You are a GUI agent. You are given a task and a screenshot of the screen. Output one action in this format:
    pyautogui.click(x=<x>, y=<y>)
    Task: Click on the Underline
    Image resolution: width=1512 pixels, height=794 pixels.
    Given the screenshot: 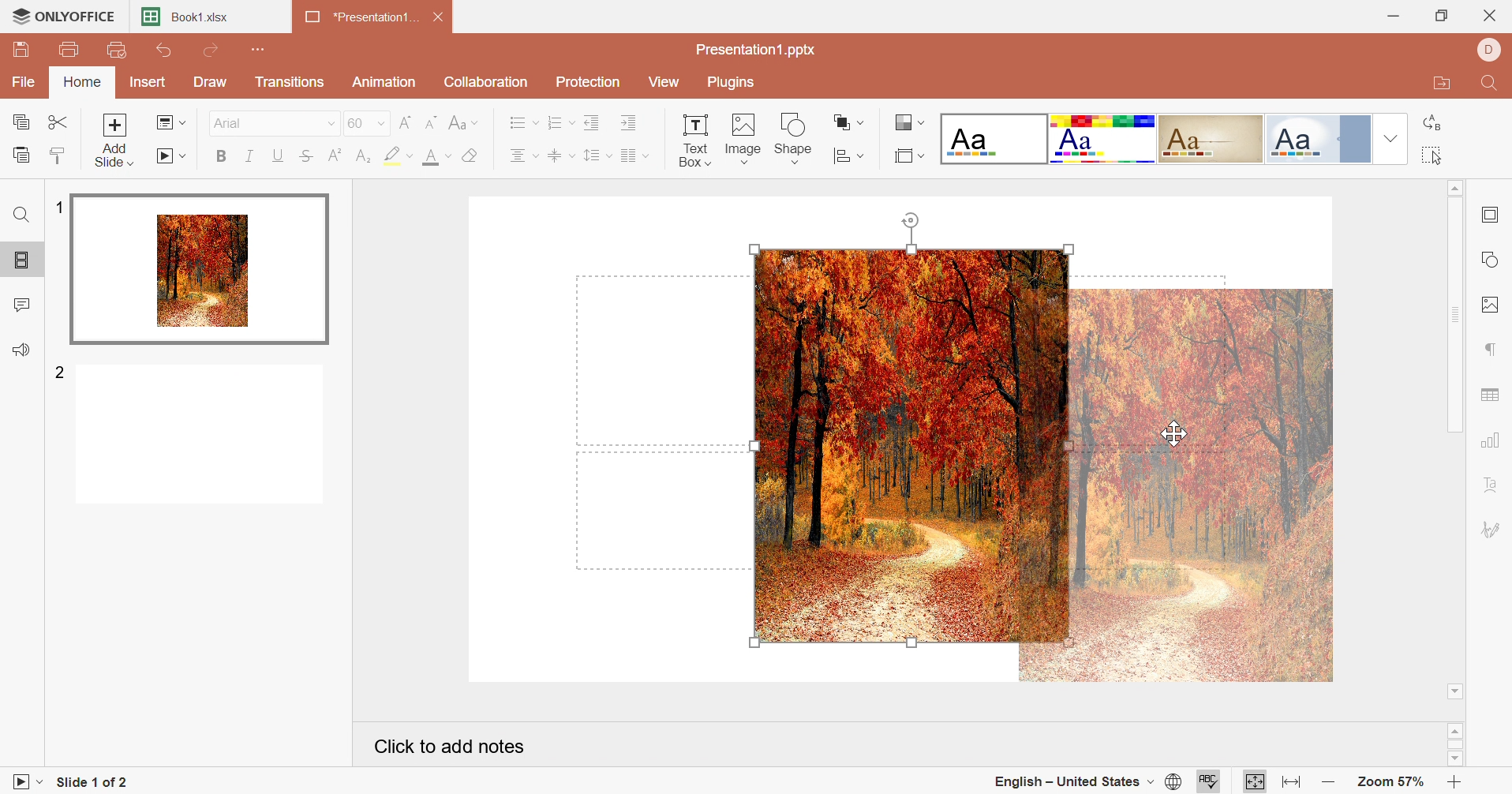 What is the action you would take?
    pyautogui.click(x=276, y=155)
    